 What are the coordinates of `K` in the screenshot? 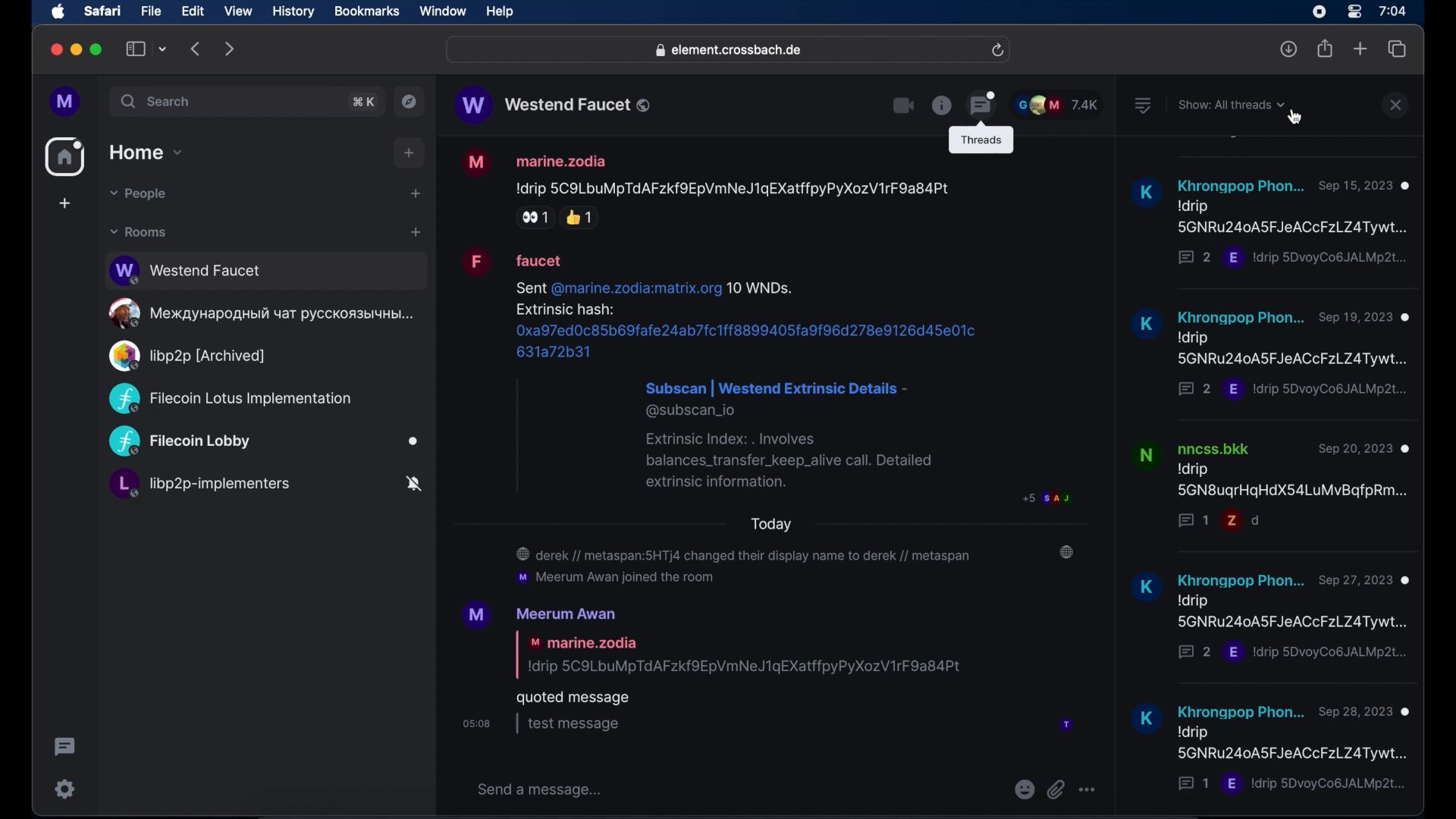 It's located at (1142, 719).